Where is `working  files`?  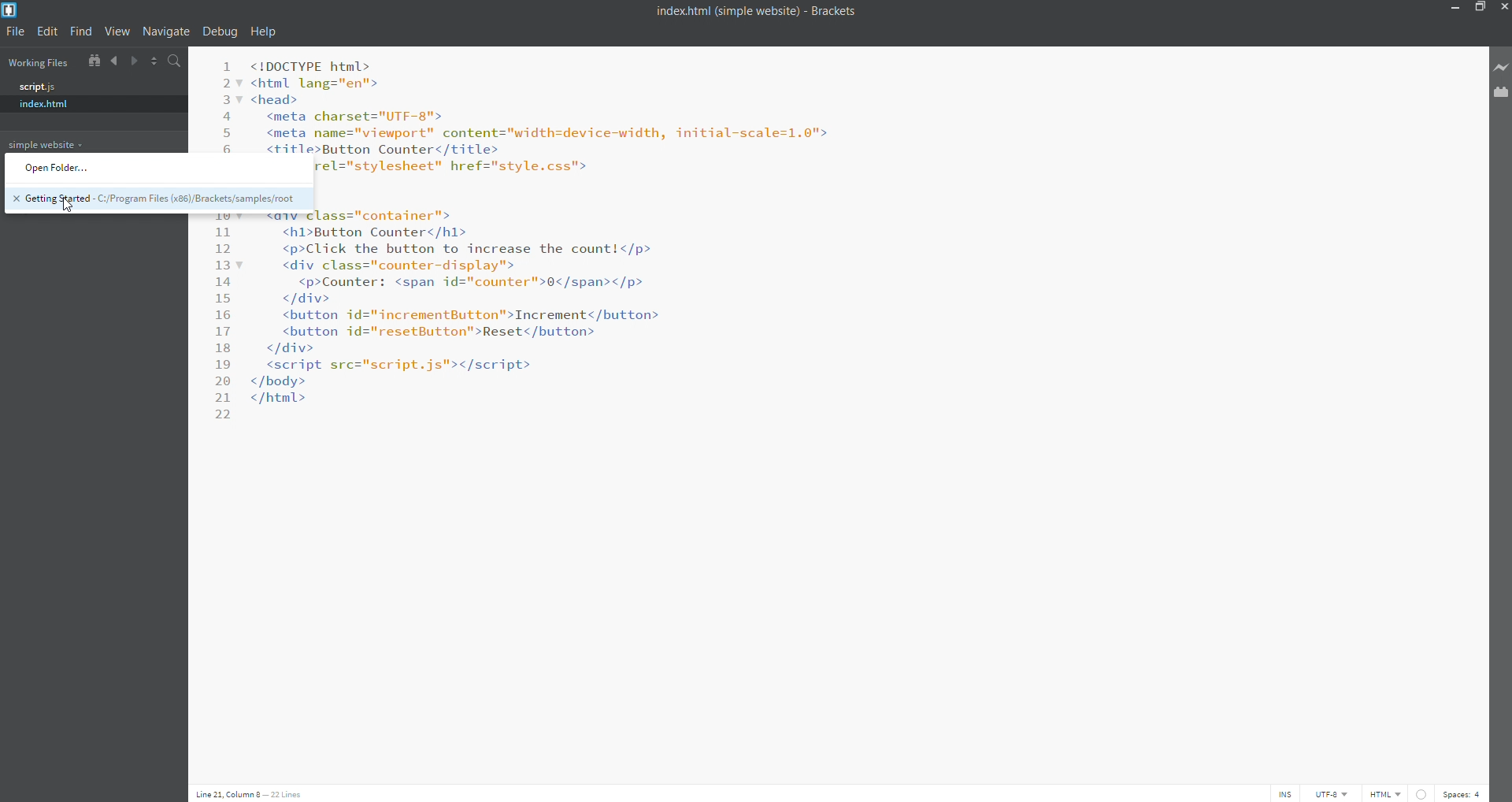
working  files is located at coordinates (41, 61).